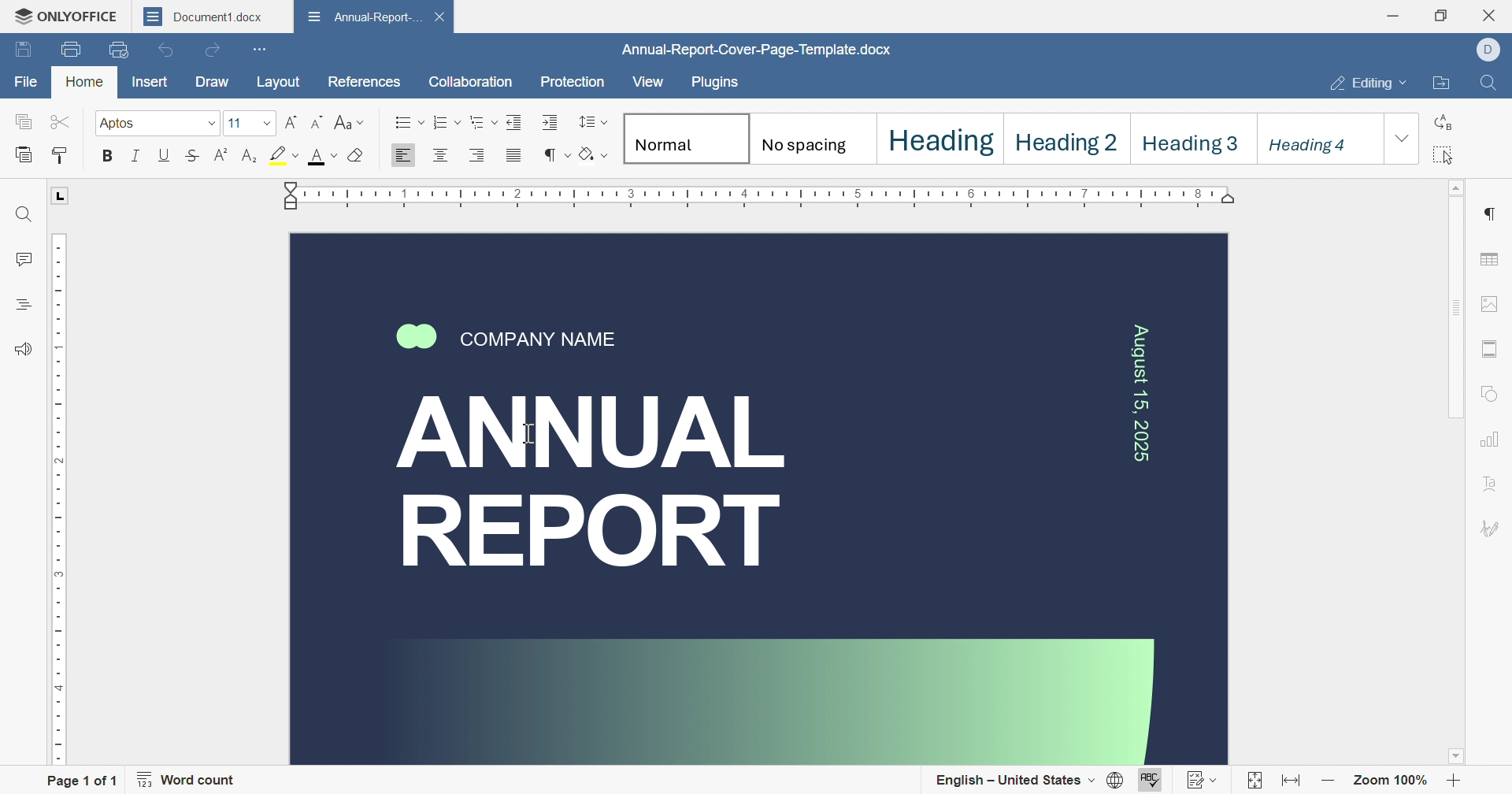  I want to click on print, so click(69, 47).